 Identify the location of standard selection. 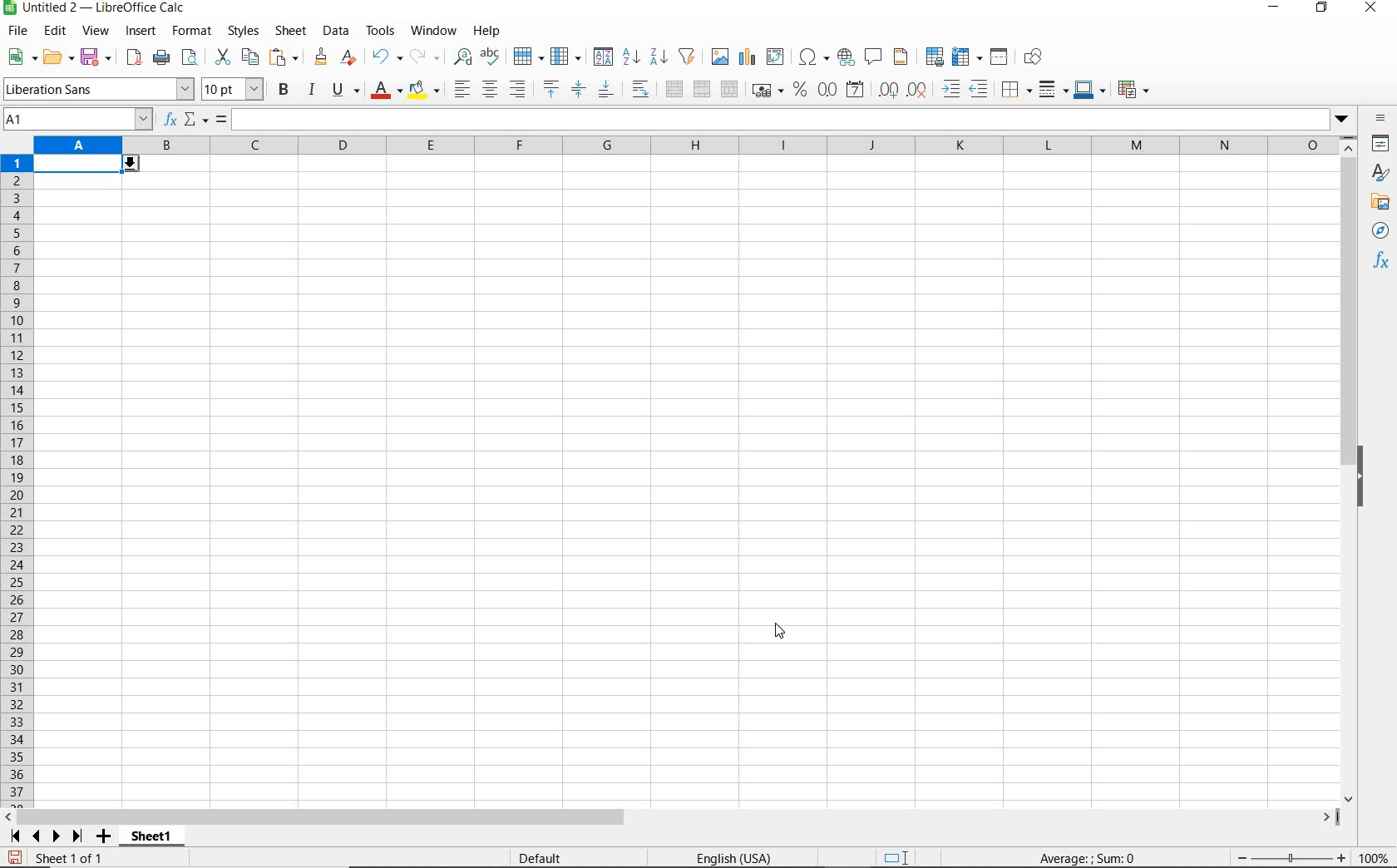
(897, 859).